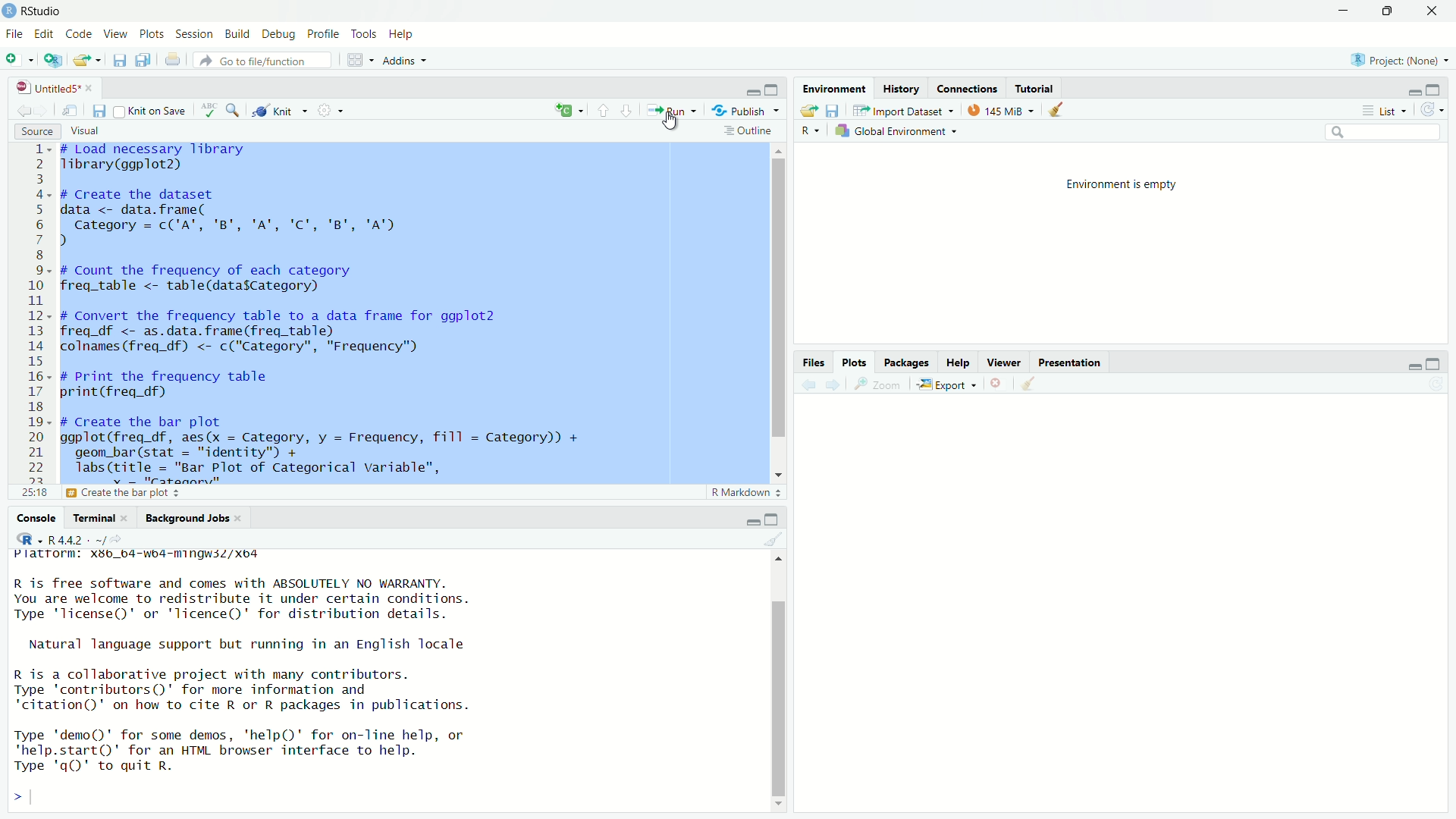  I want to click on new file, so click(17, 61).